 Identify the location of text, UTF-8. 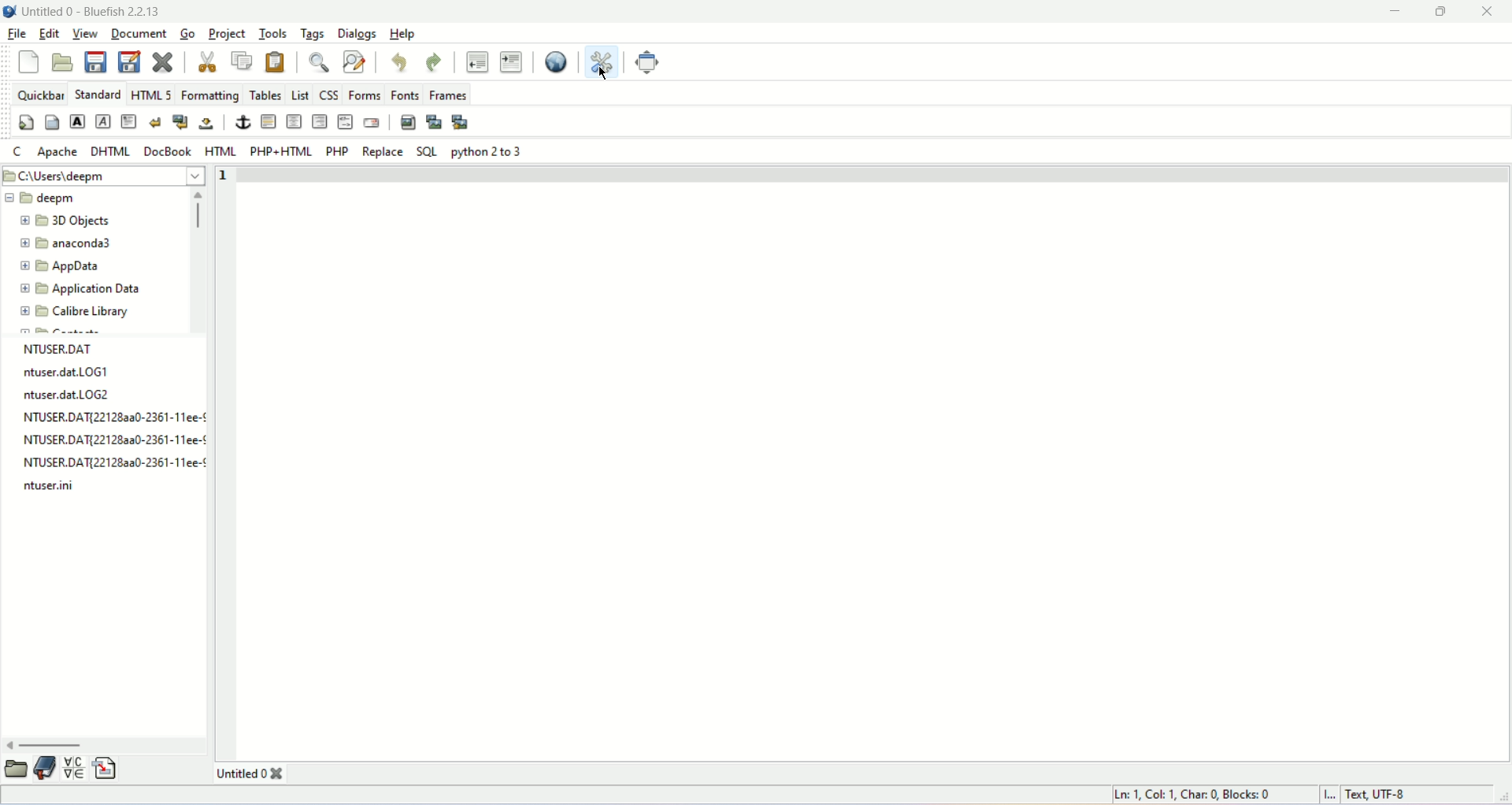
(1373, 793).